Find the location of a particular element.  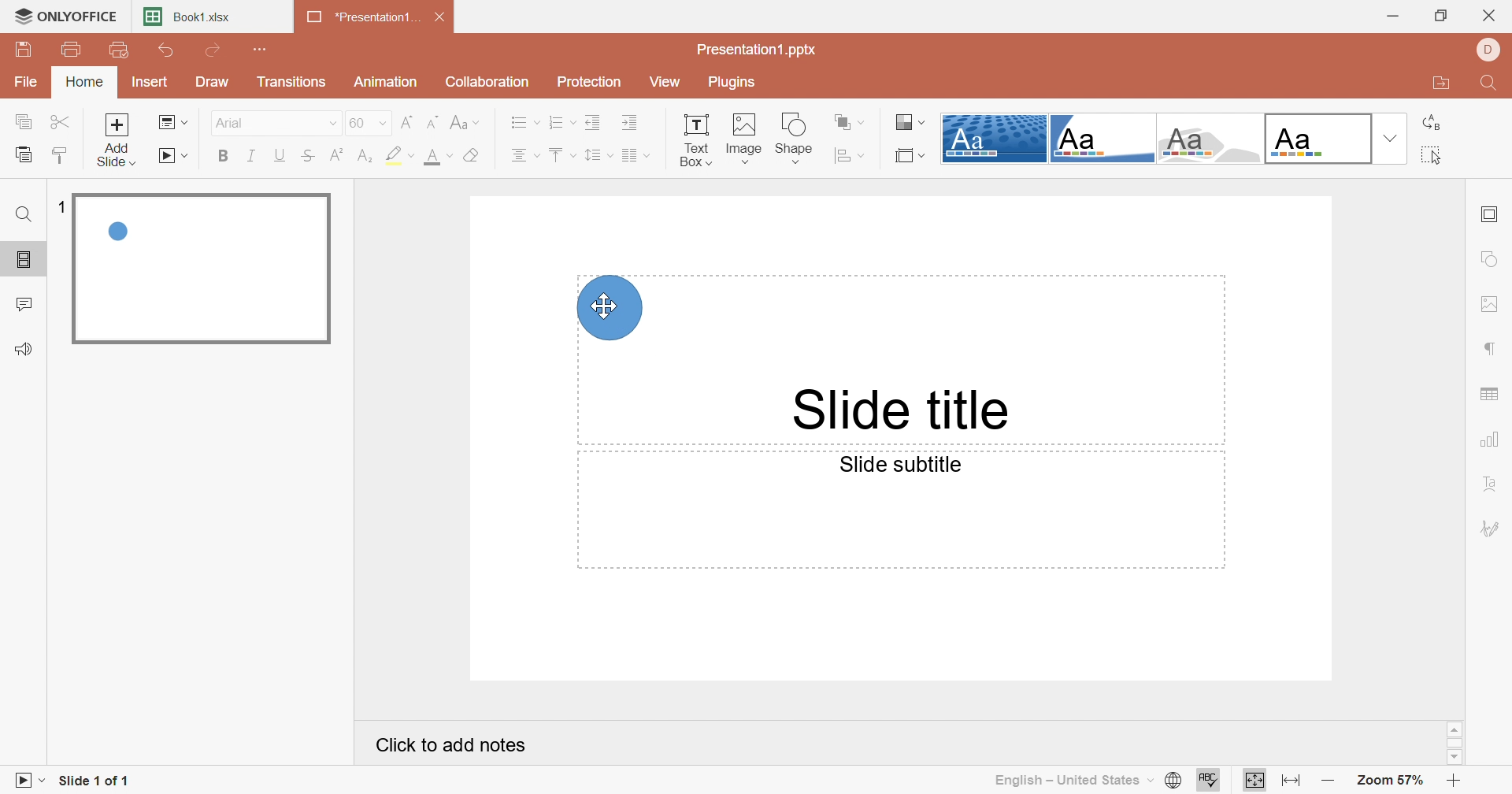

Italic is located at coordinates (253, 158).